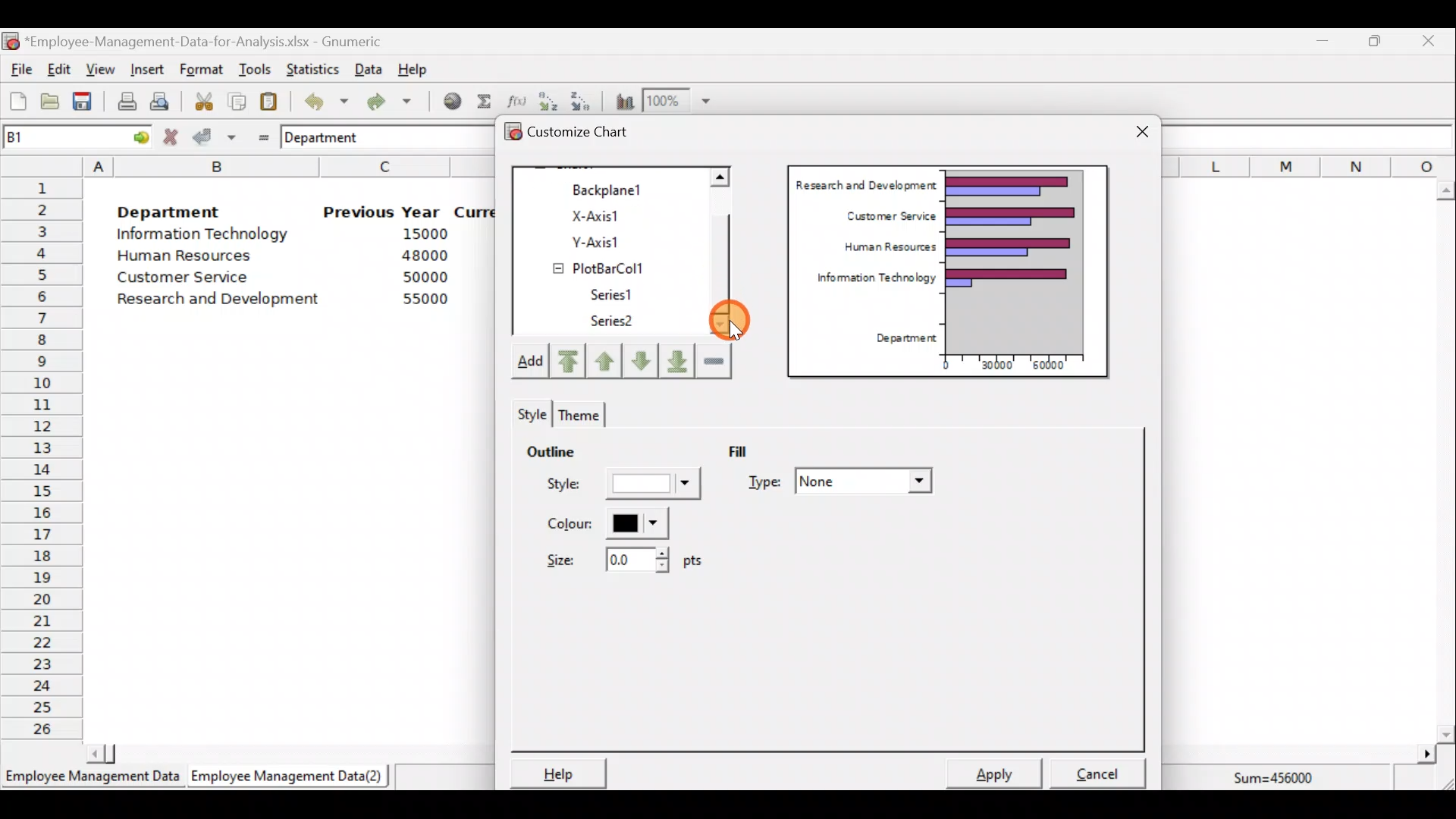 The width and height of the screenshot is (1456, 819). I want to click on Enter formula, so click(259, 134).